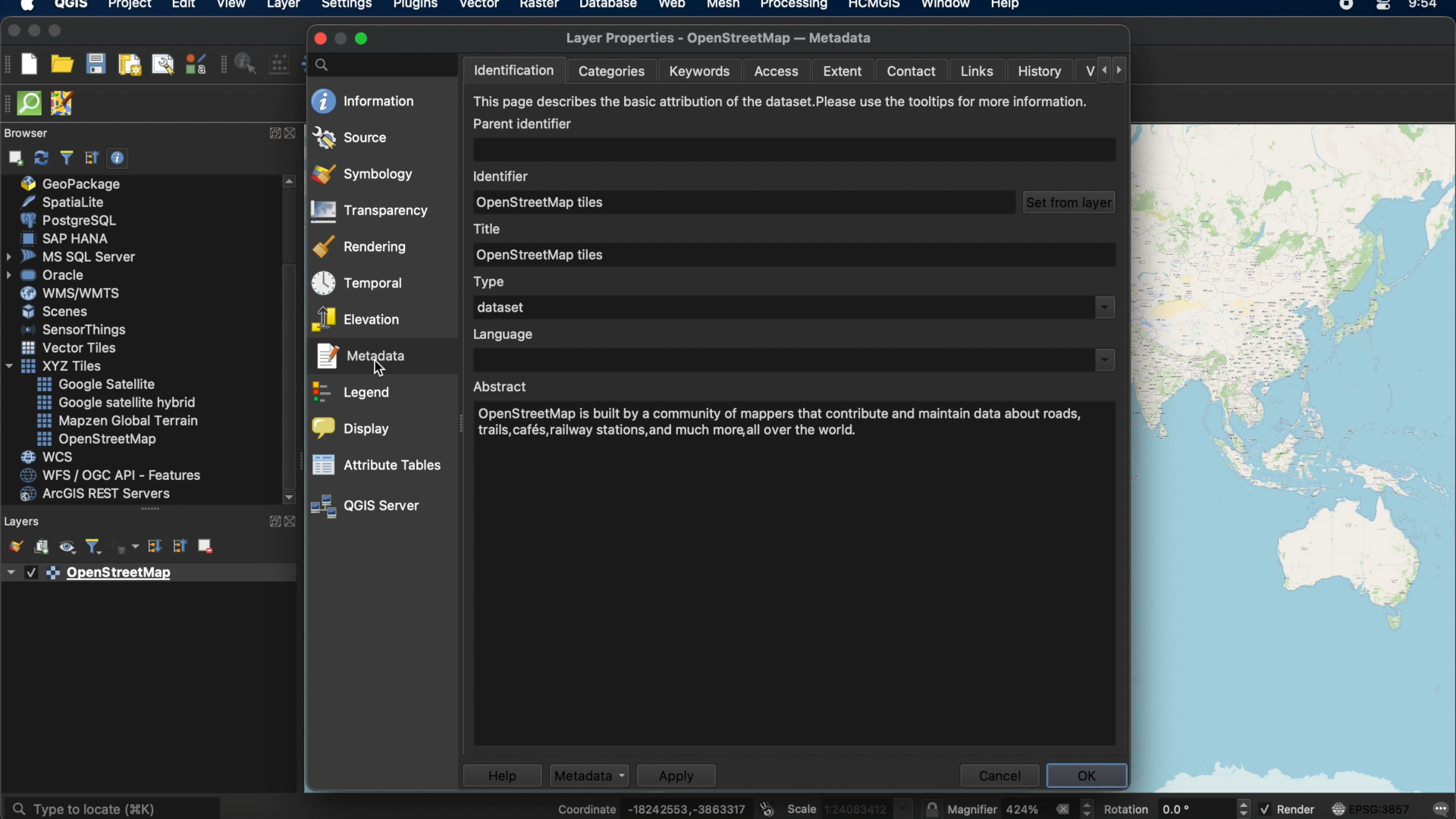 The width and height of the screenshot is (1456, 819). I want to click on style manager, so click(194, 66).